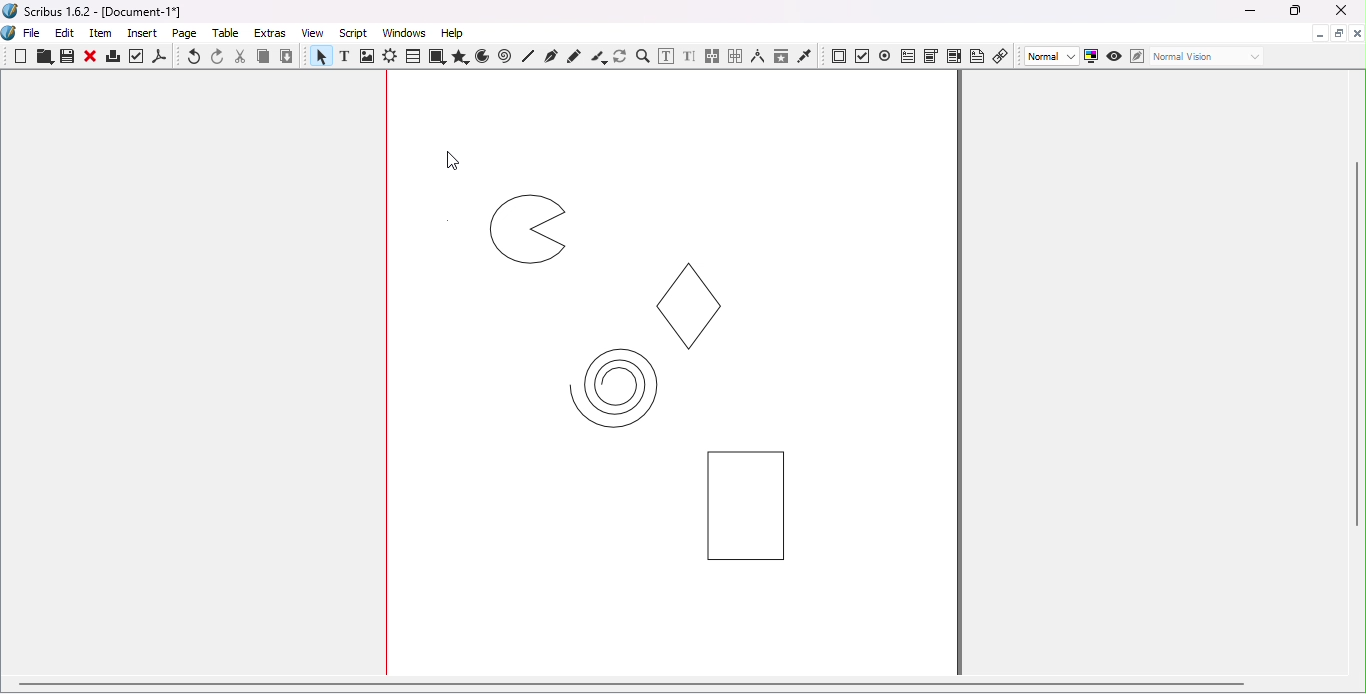  I want to click on Unlink text frames, so click(735, 56).